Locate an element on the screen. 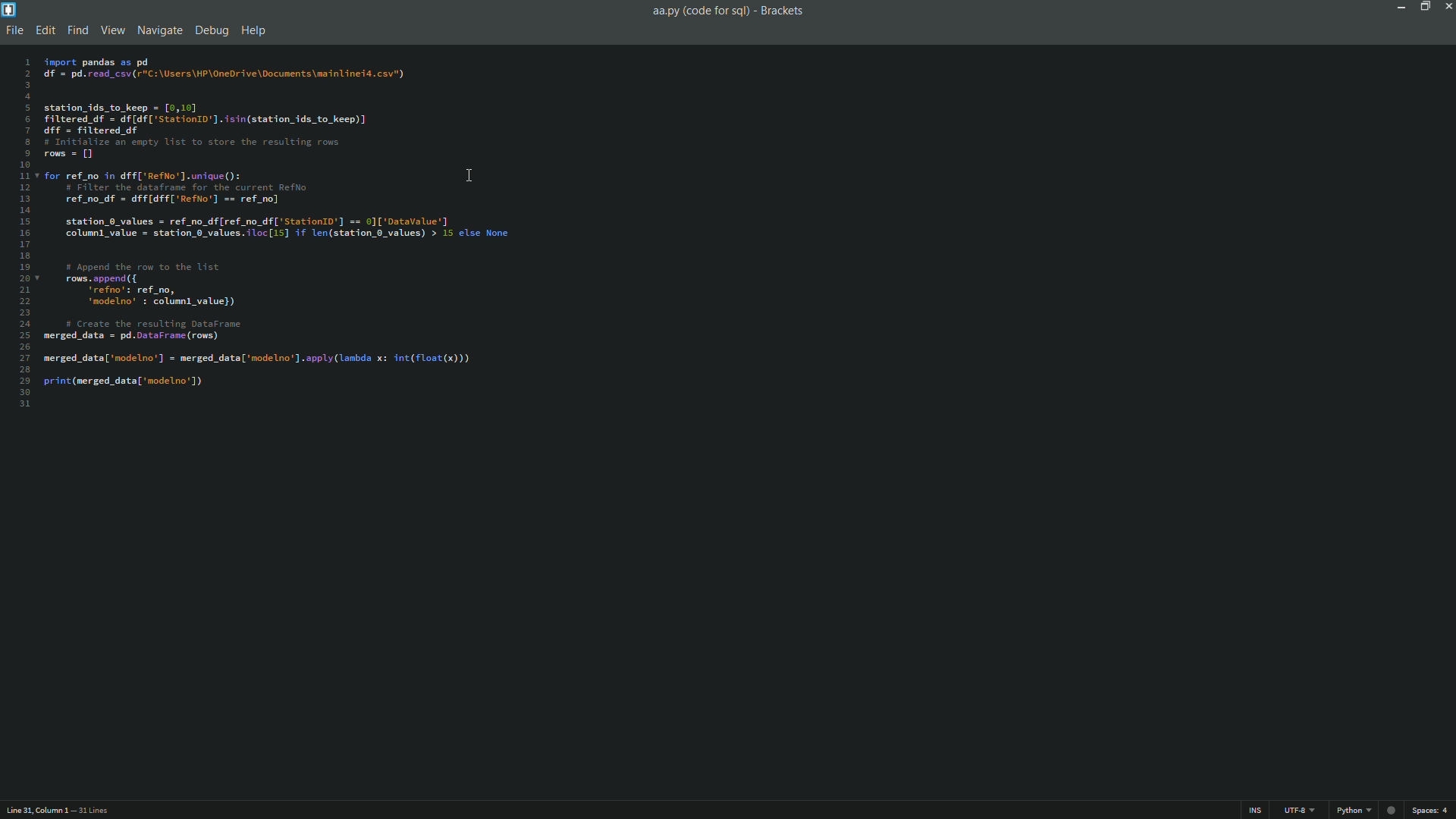 Image resolution: width=1456 pixels, height=819 pixels. help menu is located at coordinates (253, 31).